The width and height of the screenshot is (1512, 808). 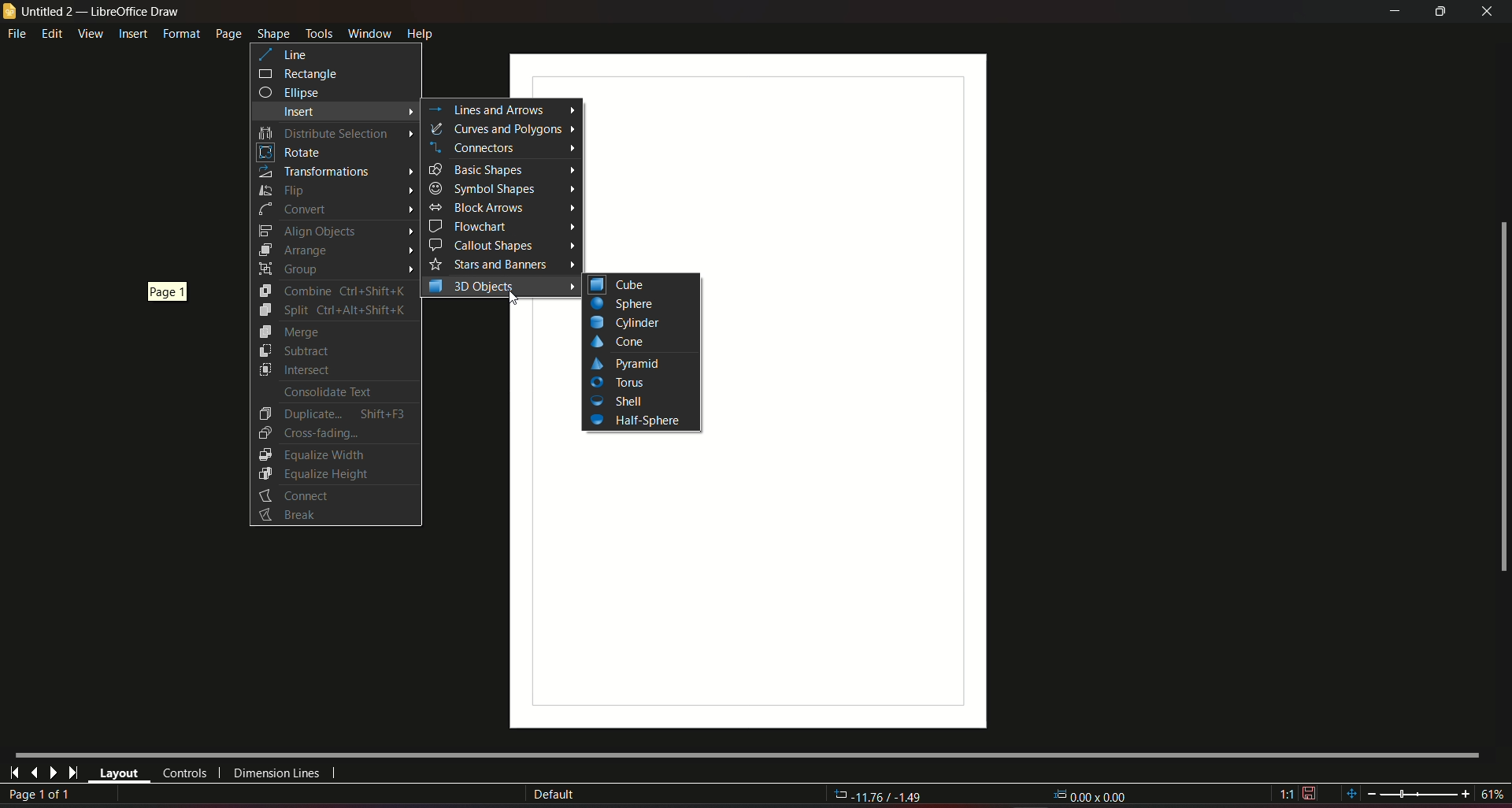 I want to click on Arrow, so click(x=410, y=113).